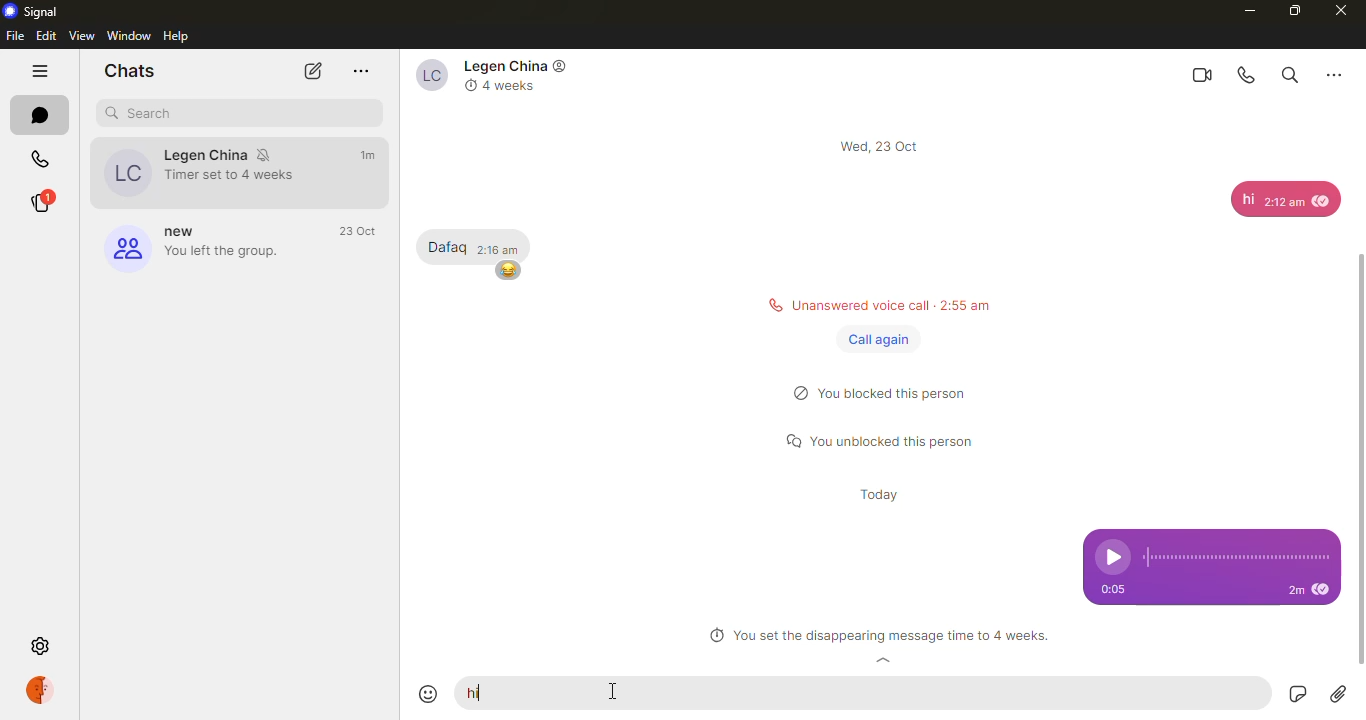 Image resolution: width=1366 pixels, height=720 pixels. Describe the element at coordinates (1247, 199) in the screenshot. I see `hi` at that location.